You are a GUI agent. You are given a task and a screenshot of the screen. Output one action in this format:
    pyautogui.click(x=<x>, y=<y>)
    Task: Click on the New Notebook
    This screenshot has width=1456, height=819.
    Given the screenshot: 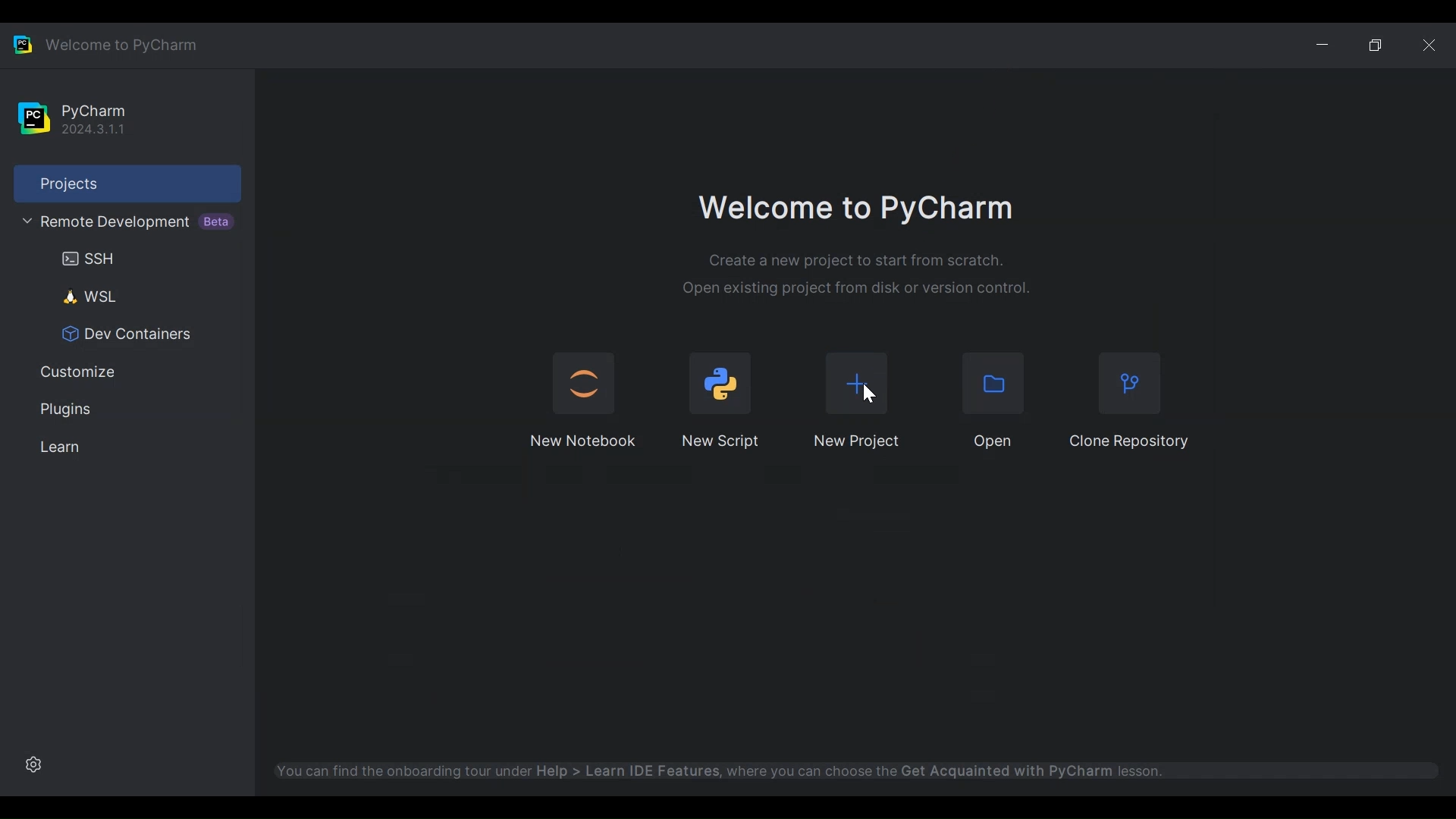 What is the action you would take?
    pyautogui.click(x=584, y=441)
    